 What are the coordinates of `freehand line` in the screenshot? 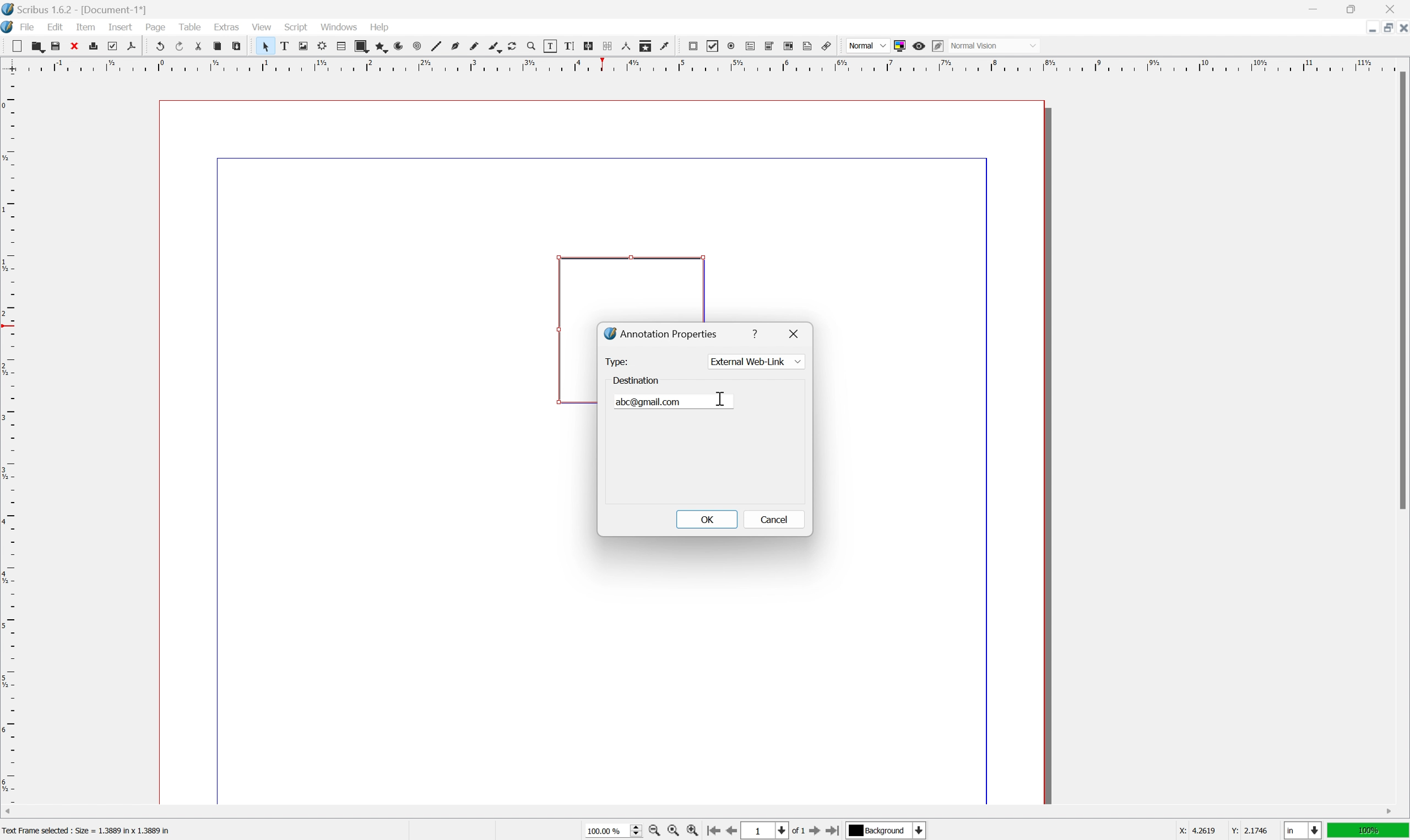 It's located at (474, 47).